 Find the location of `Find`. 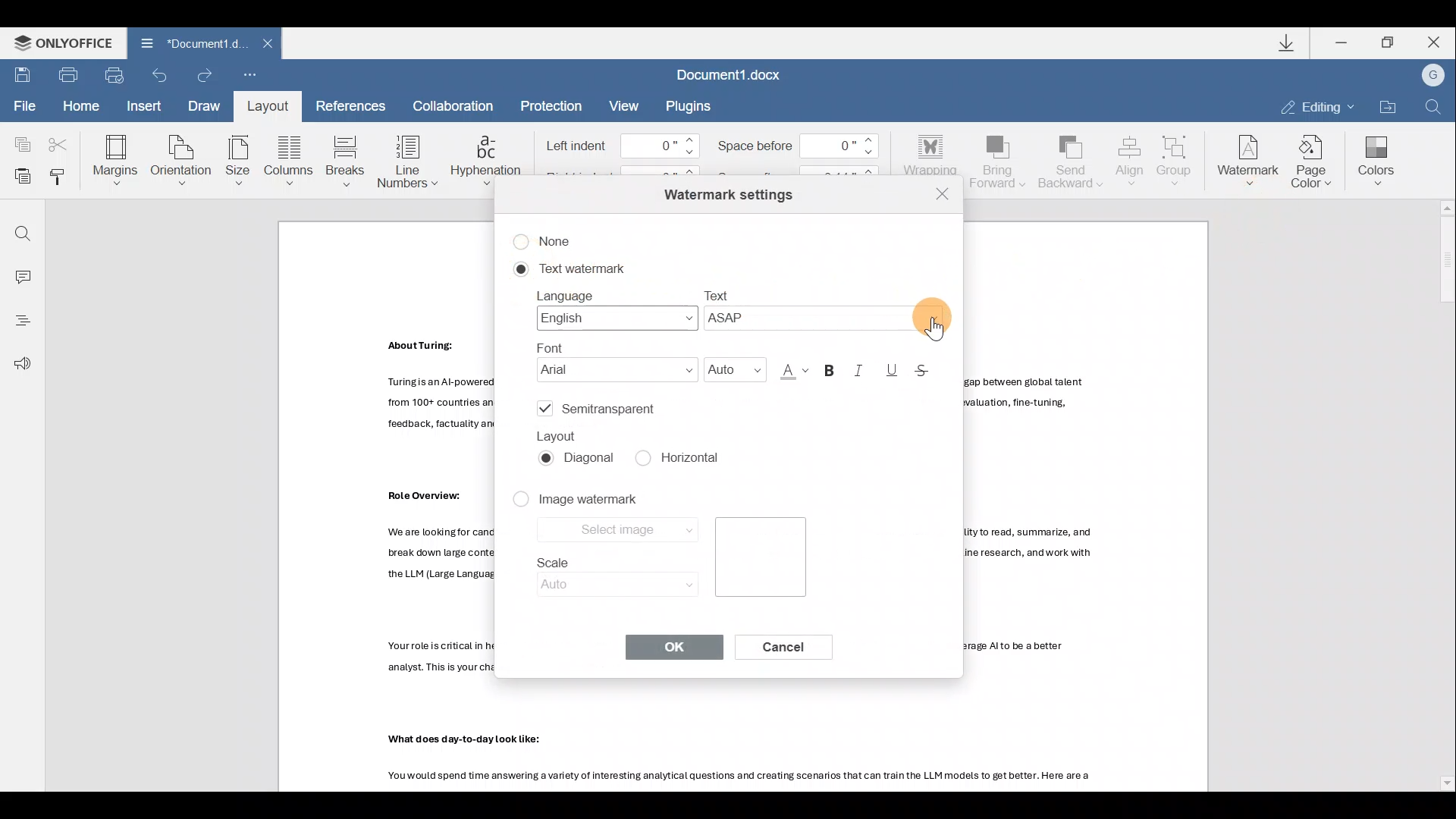

Find is located at coordinates (21, 229).